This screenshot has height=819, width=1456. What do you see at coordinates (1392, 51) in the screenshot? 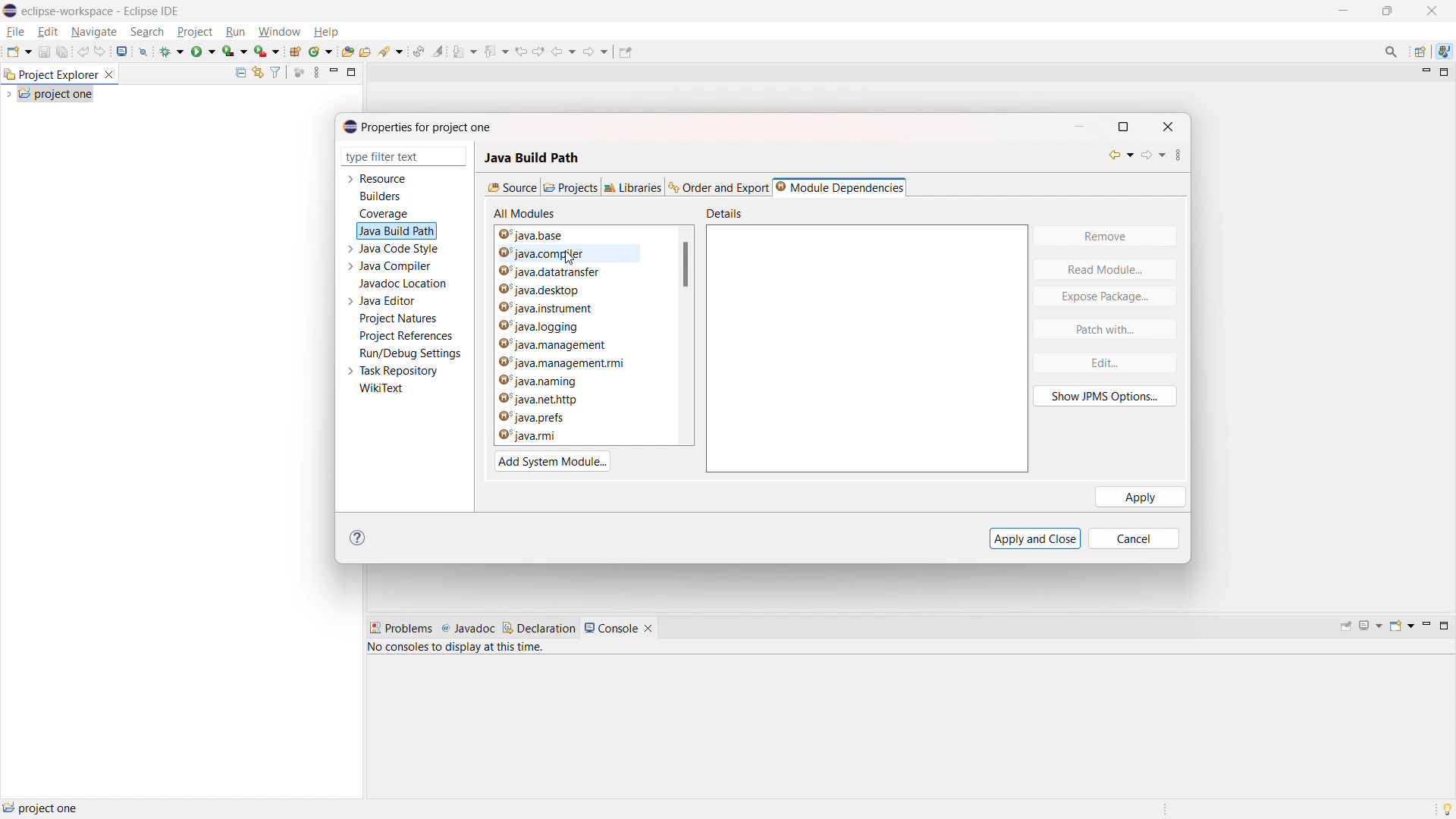
I see `access commands and other items` at bounding box center [1392, 51].